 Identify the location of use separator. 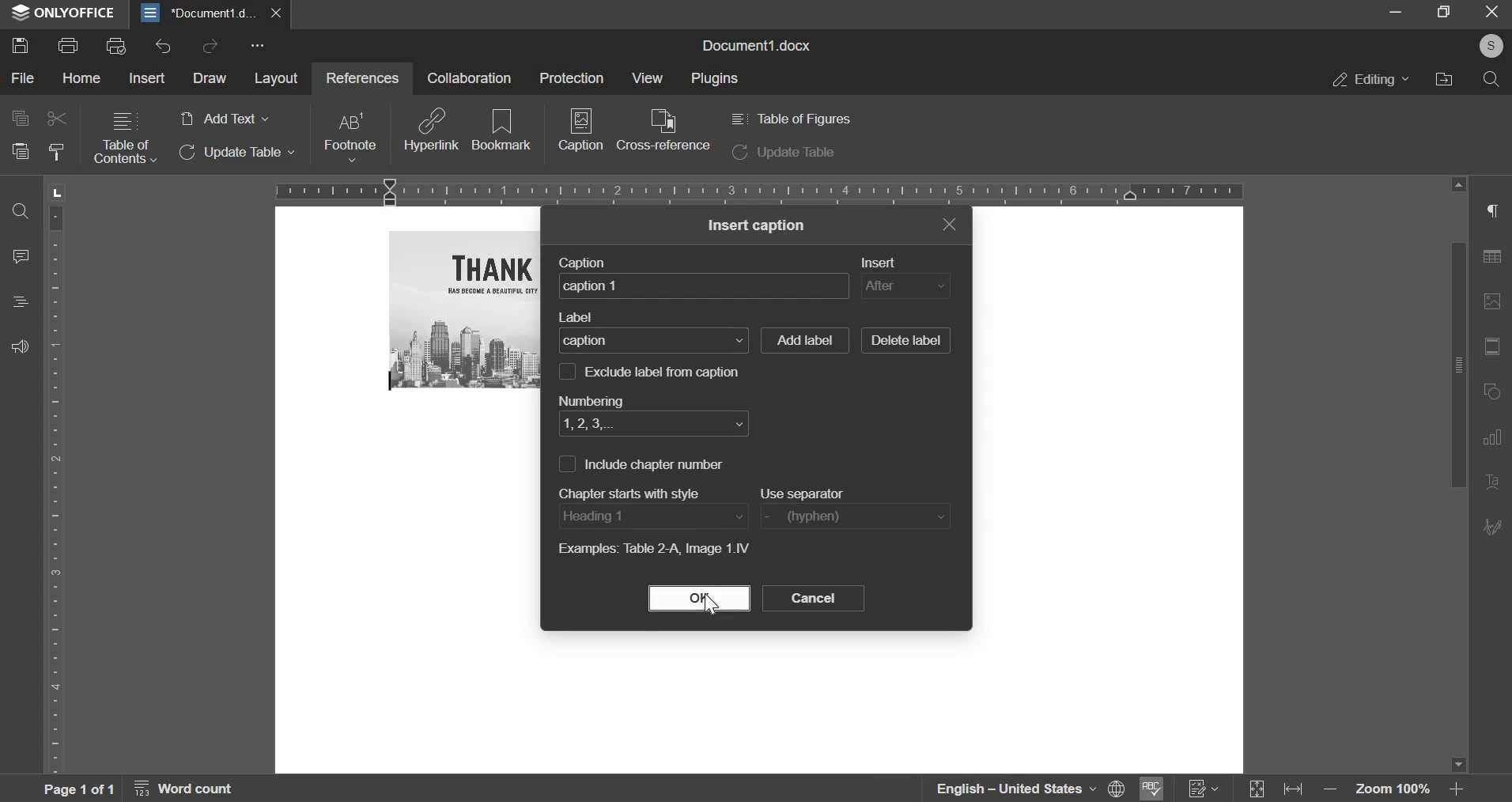
(806, 493).